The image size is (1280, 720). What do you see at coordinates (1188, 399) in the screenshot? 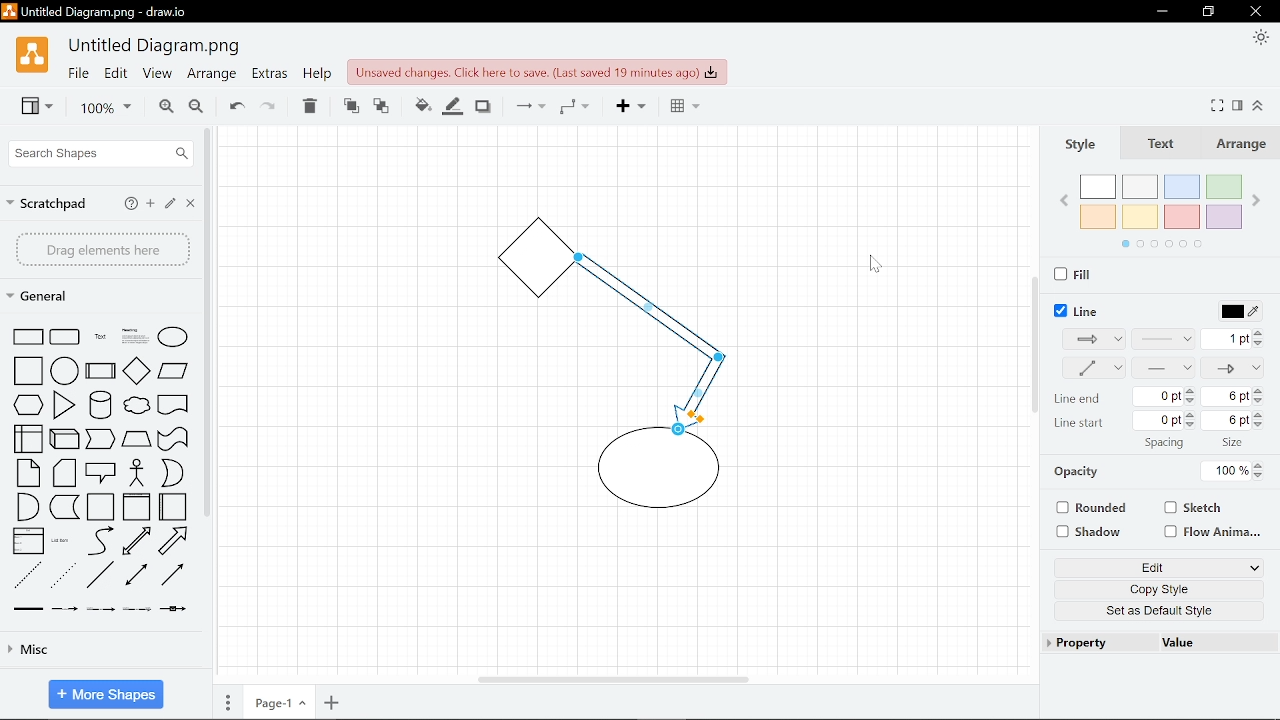
I see `decrease` at bounding box center [1188, 399].